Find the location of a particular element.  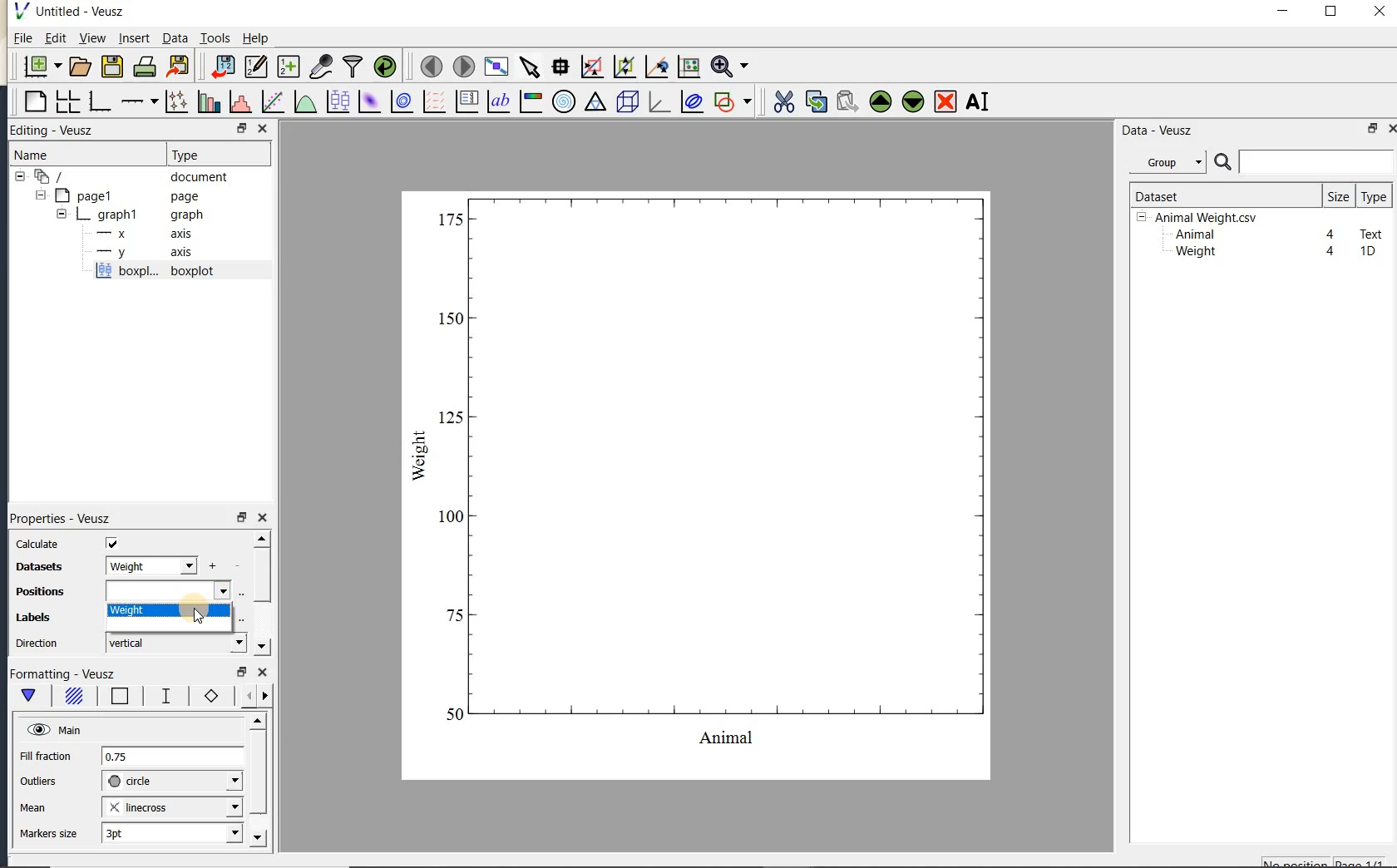

create new datasets is located at coordinates (289, 65).